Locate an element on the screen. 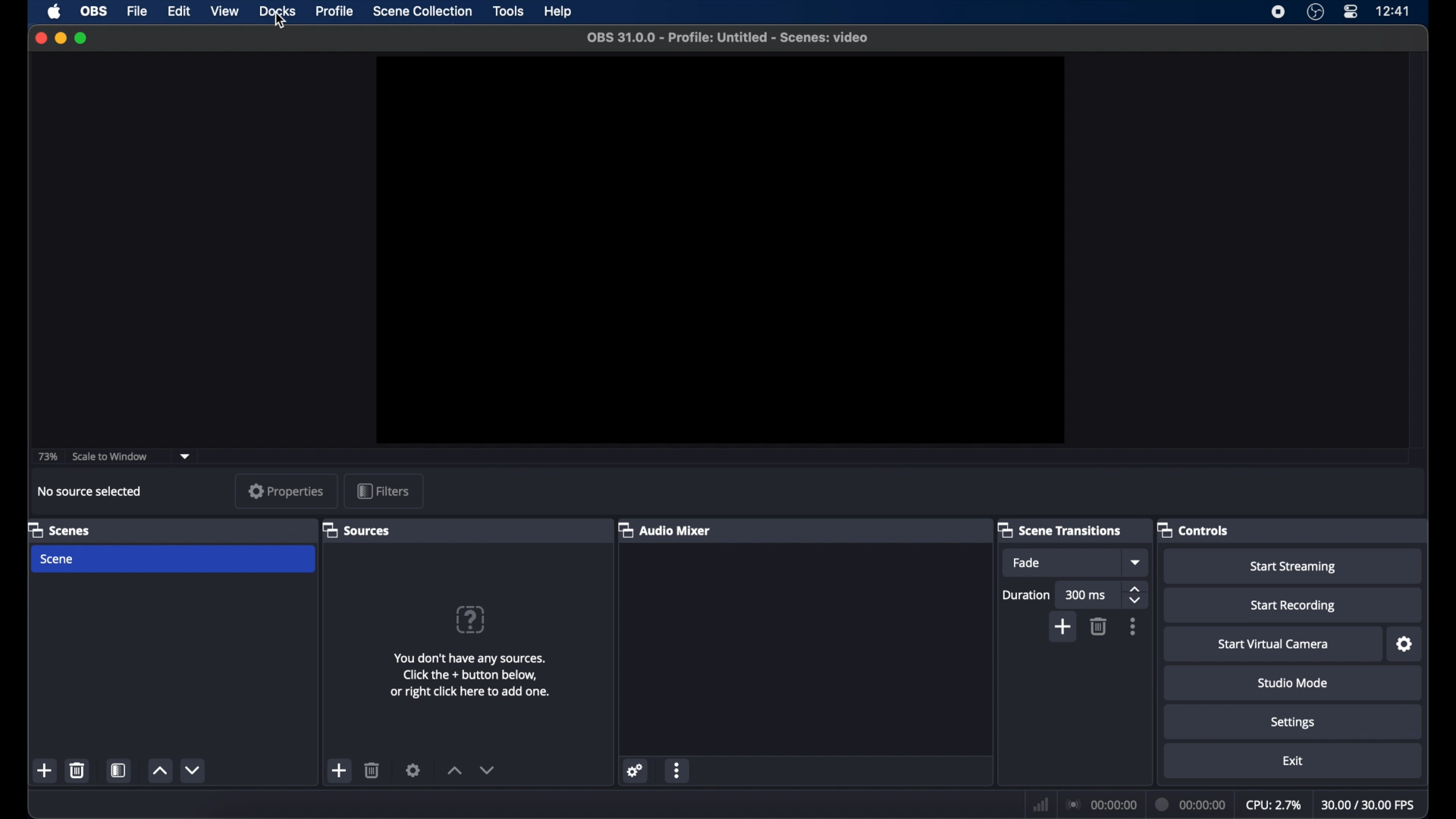 The image size is (1456, 819). stepper button is located at coordinates (1136, 595).